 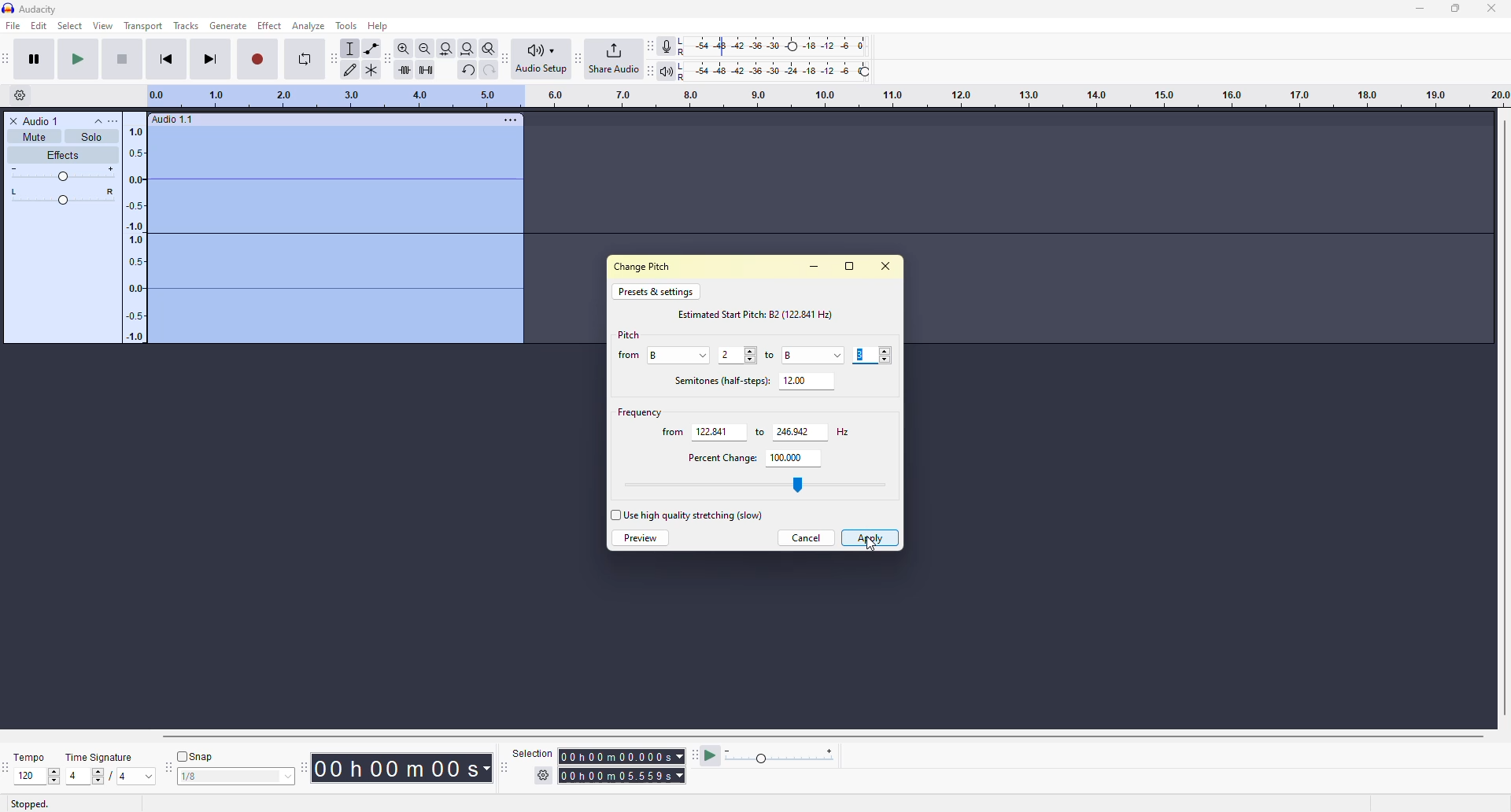 What do you see at coordinates (759, 312) in the screenshot?
I see `estimated start pitch` at bounding box center [759, 312].